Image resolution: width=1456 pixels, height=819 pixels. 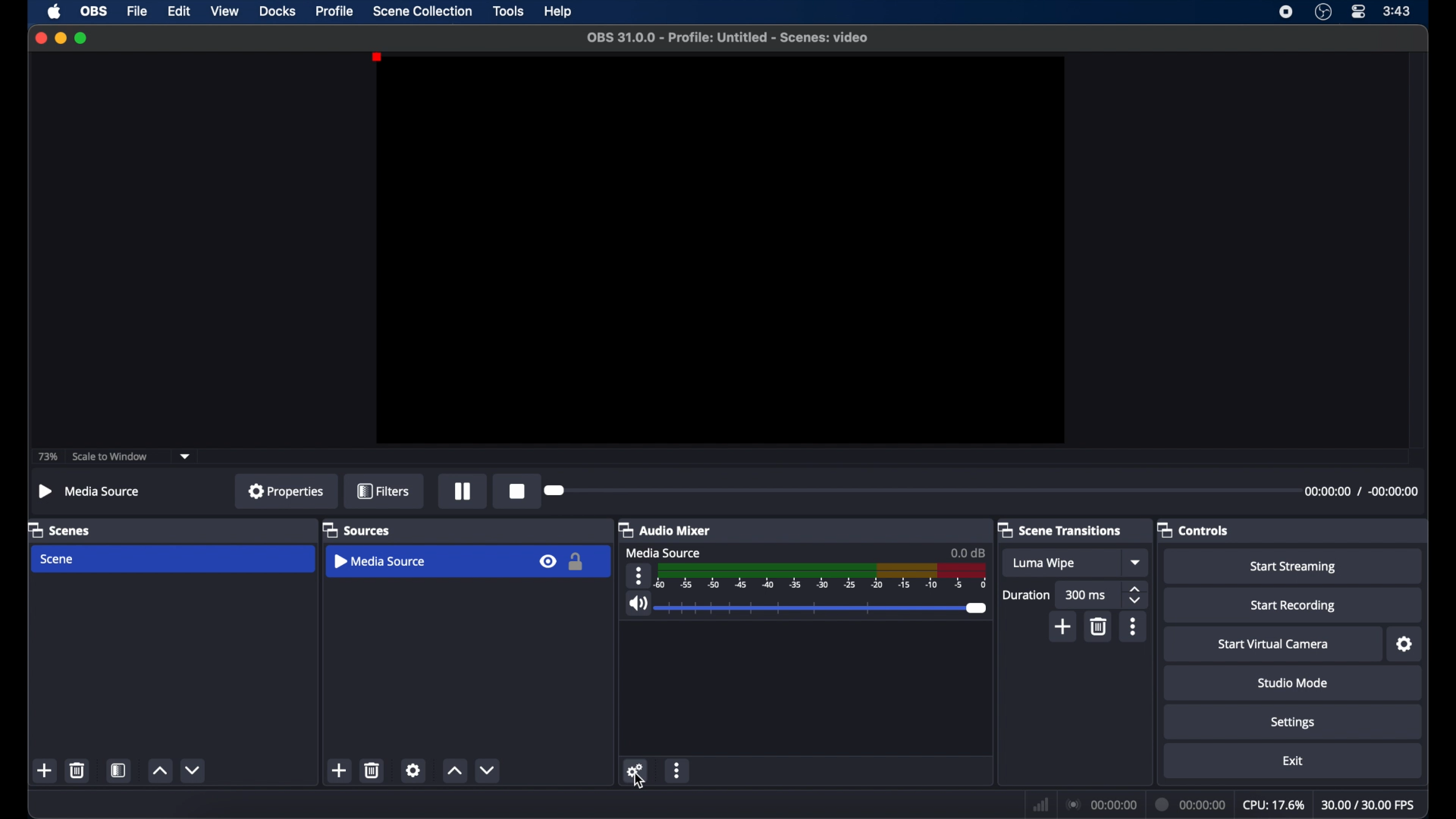 I want to click on 3:43, so click(x=1398, y=11).